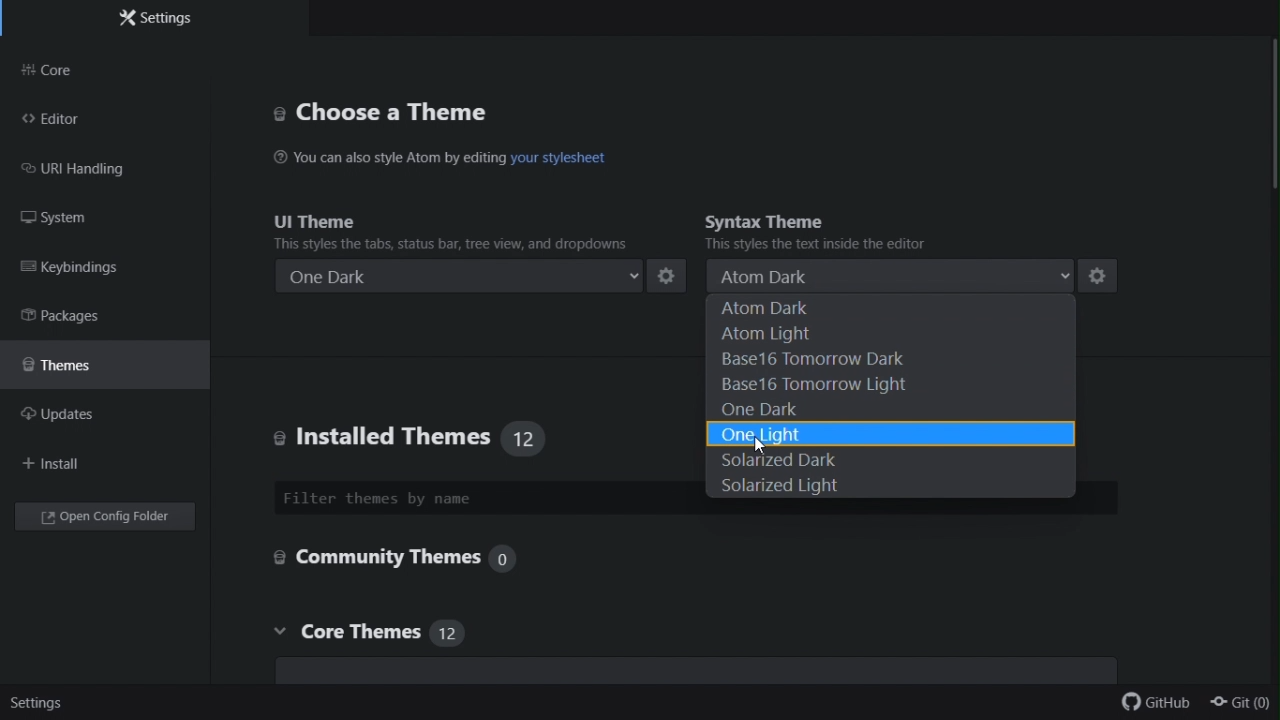 This screenshot has width=1280, height=720. What do you see at coordinates (757, 444) in the screenshot?
I see `cursor` at bounding box center [757, 444].